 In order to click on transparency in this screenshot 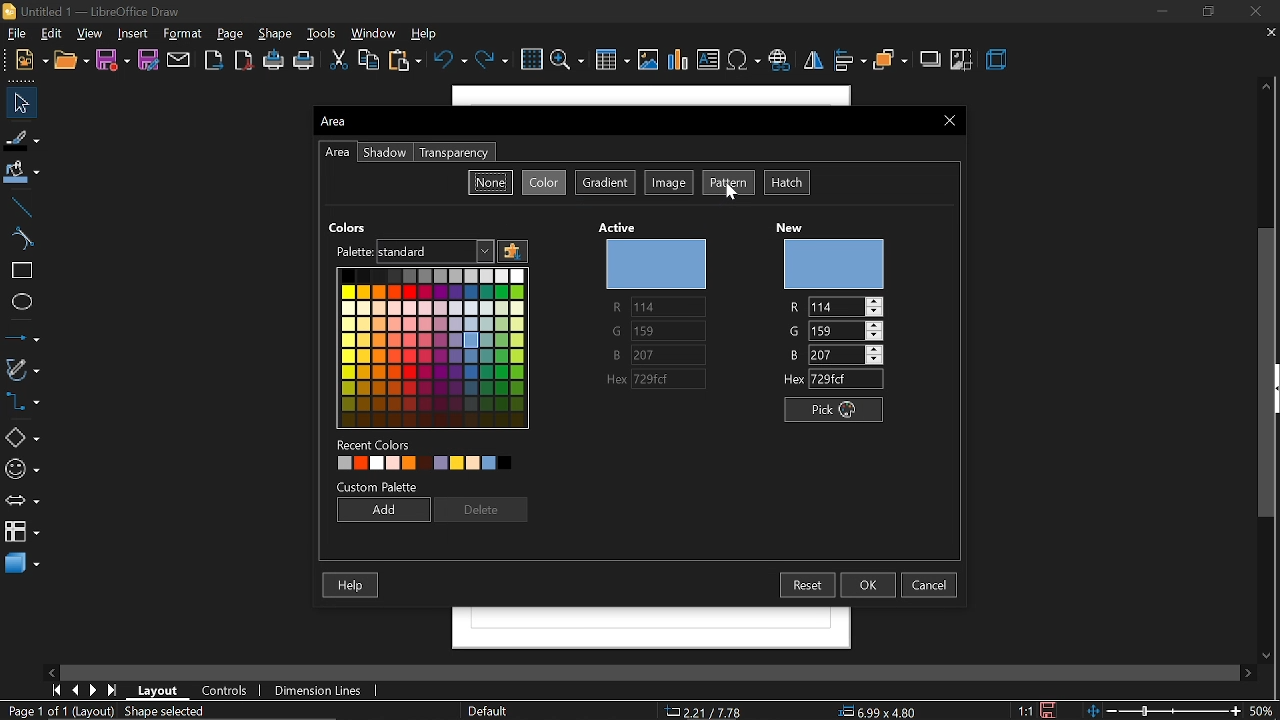, I will do `click(458, 153)`.